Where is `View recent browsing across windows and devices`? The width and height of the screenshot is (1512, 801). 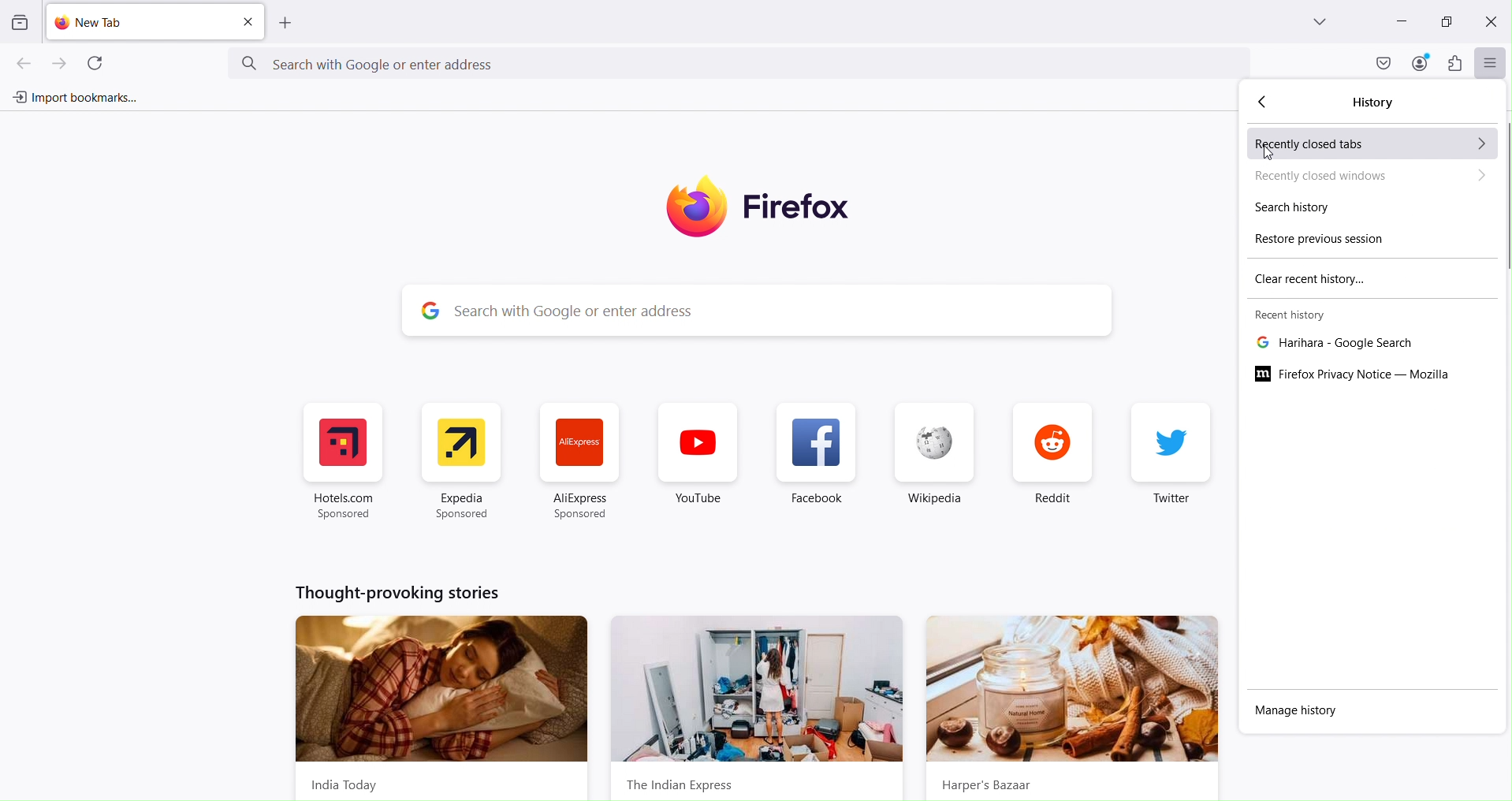
View recent browsing across windows and devices is located at coordinates (18, 24).